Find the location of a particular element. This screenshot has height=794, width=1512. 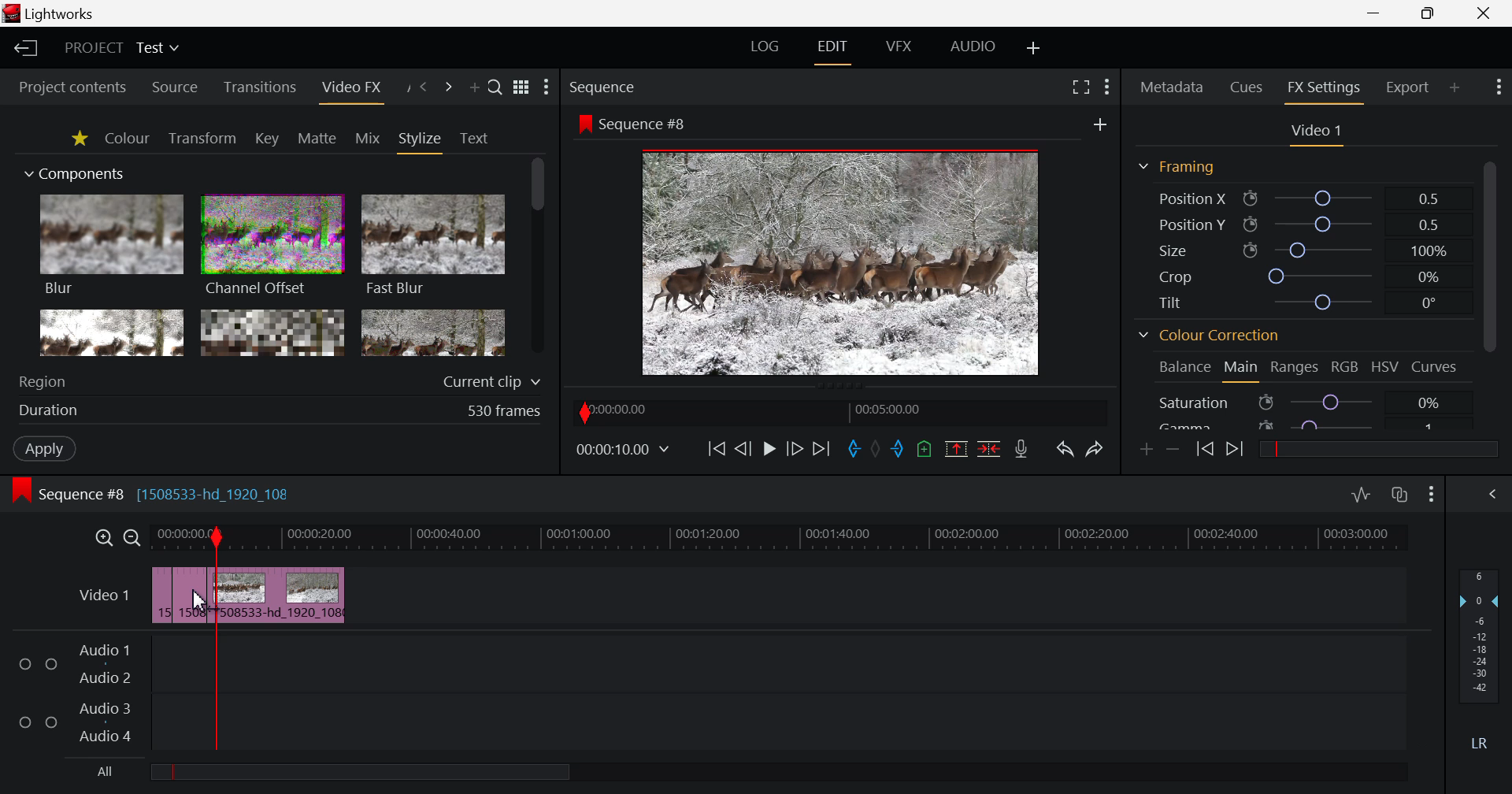

Minimize is located at coordinates (1429, 14).